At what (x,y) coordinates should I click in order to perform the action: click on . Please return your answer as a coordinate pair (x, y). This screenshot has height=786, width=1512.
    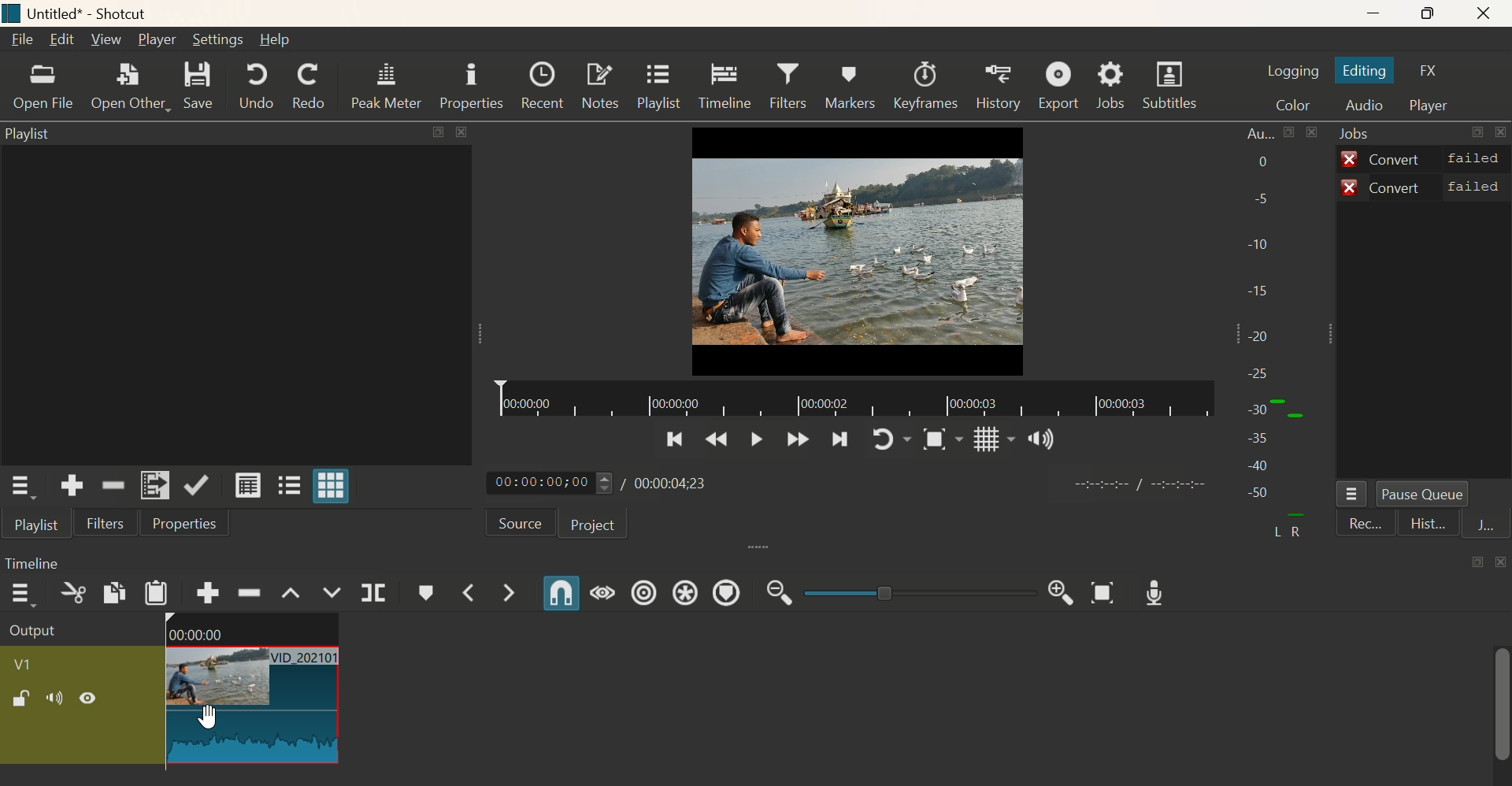
    Looking at the image, I should click on (524, 522).